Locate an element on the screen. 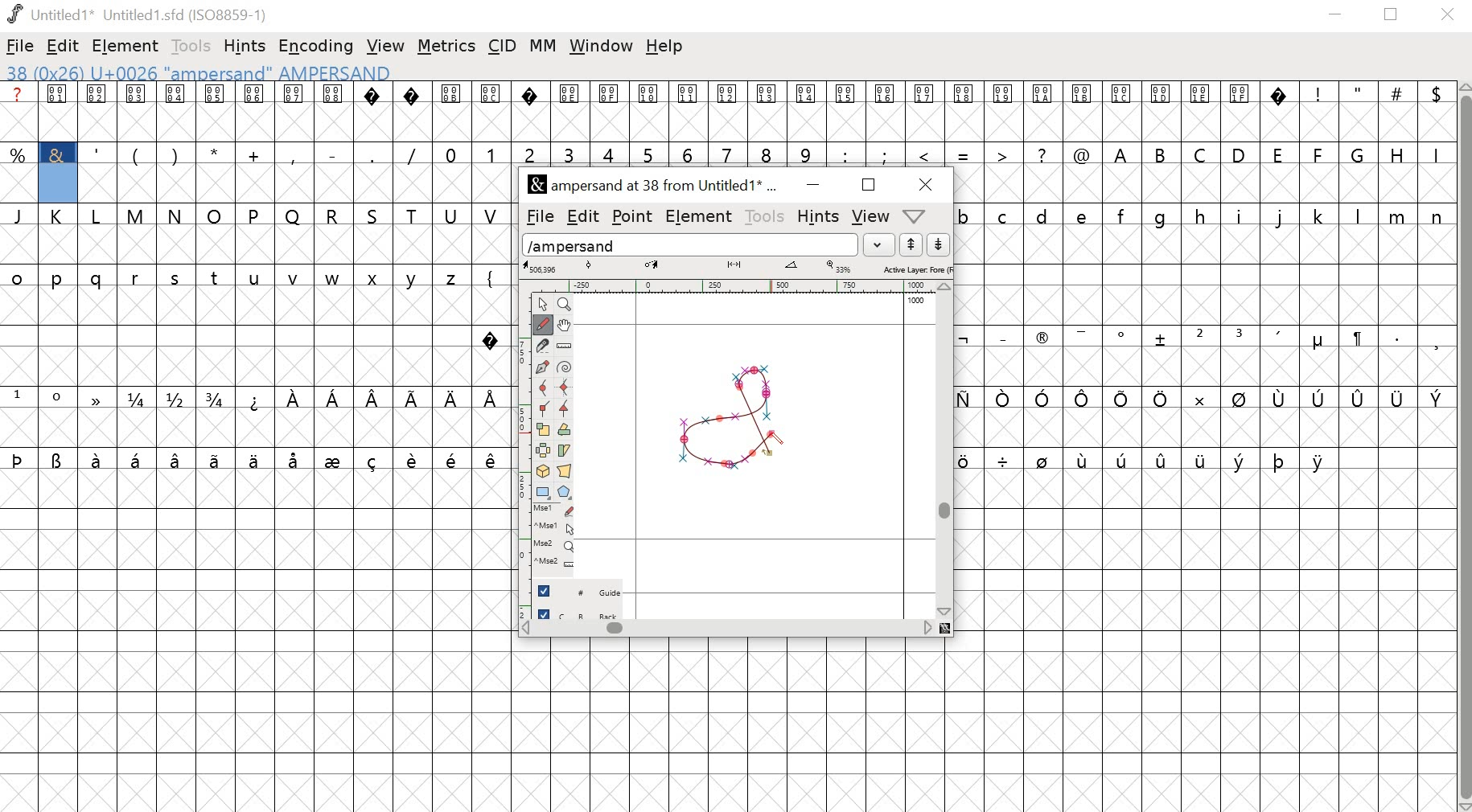 This screenshot has height=812, width=1472. 38<2 ((Ix/B6)1LI+()6 ambper<canad AMPERSAND) is located at coordinates (197, 72).